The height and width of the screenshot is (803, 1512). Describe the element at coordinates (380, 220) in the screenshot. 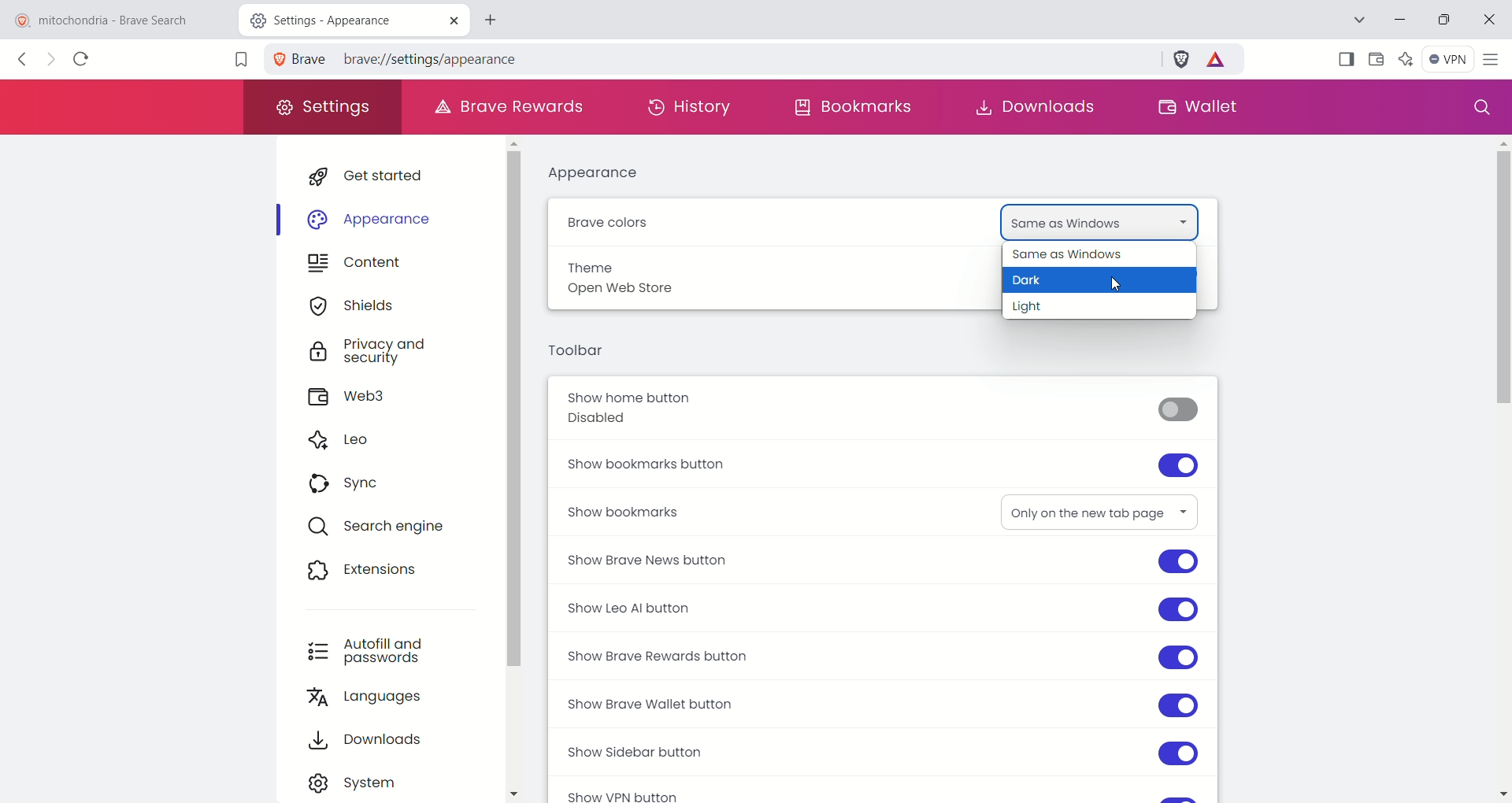

I see `appearance` at that location.